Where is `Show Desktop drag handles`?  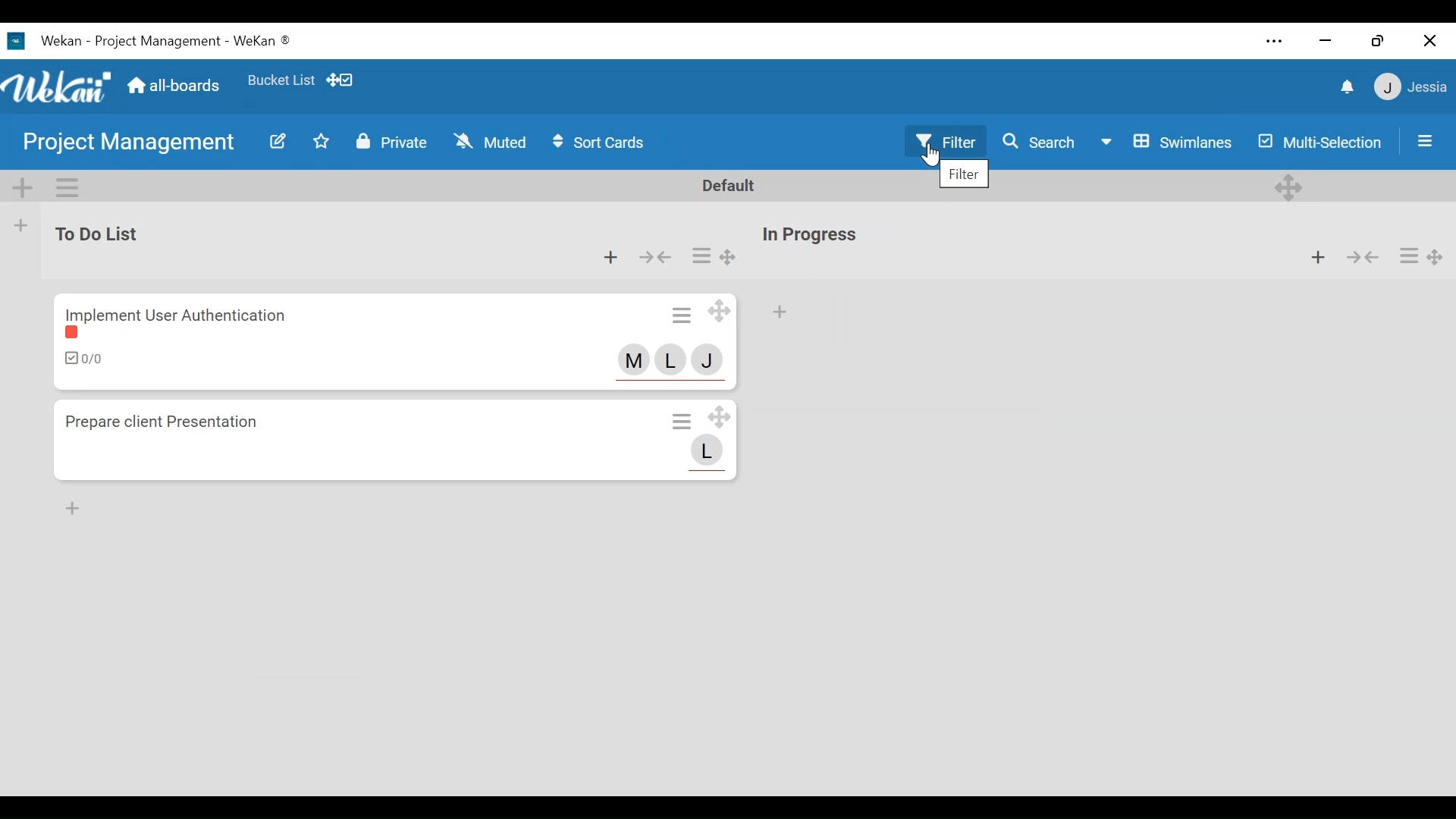
Show Desktop drag handles is located at coordinates (343, 80).